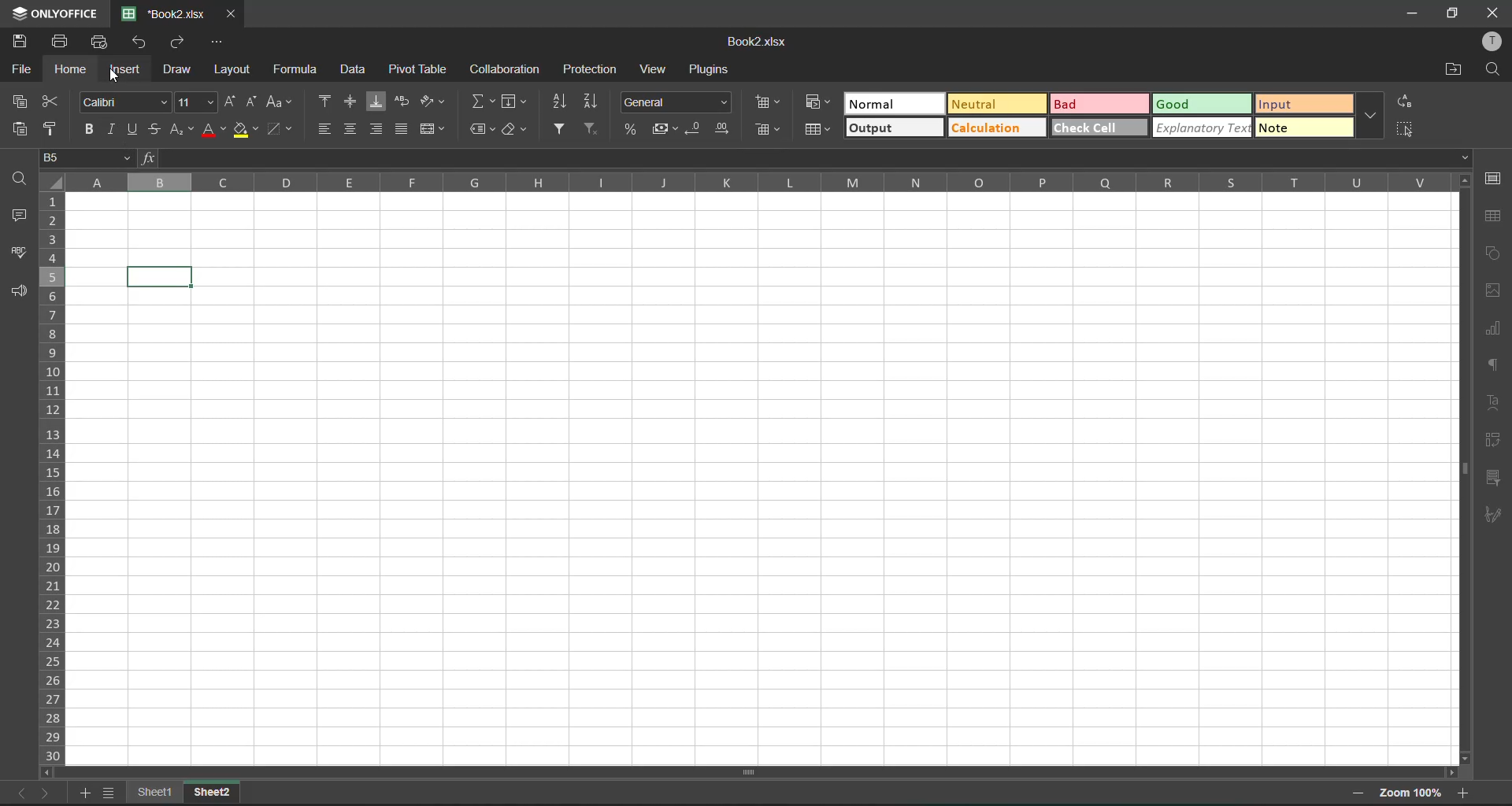 This screenshot has width=1512, height=806. I want to click on conditional formatting, so click(821, 103).